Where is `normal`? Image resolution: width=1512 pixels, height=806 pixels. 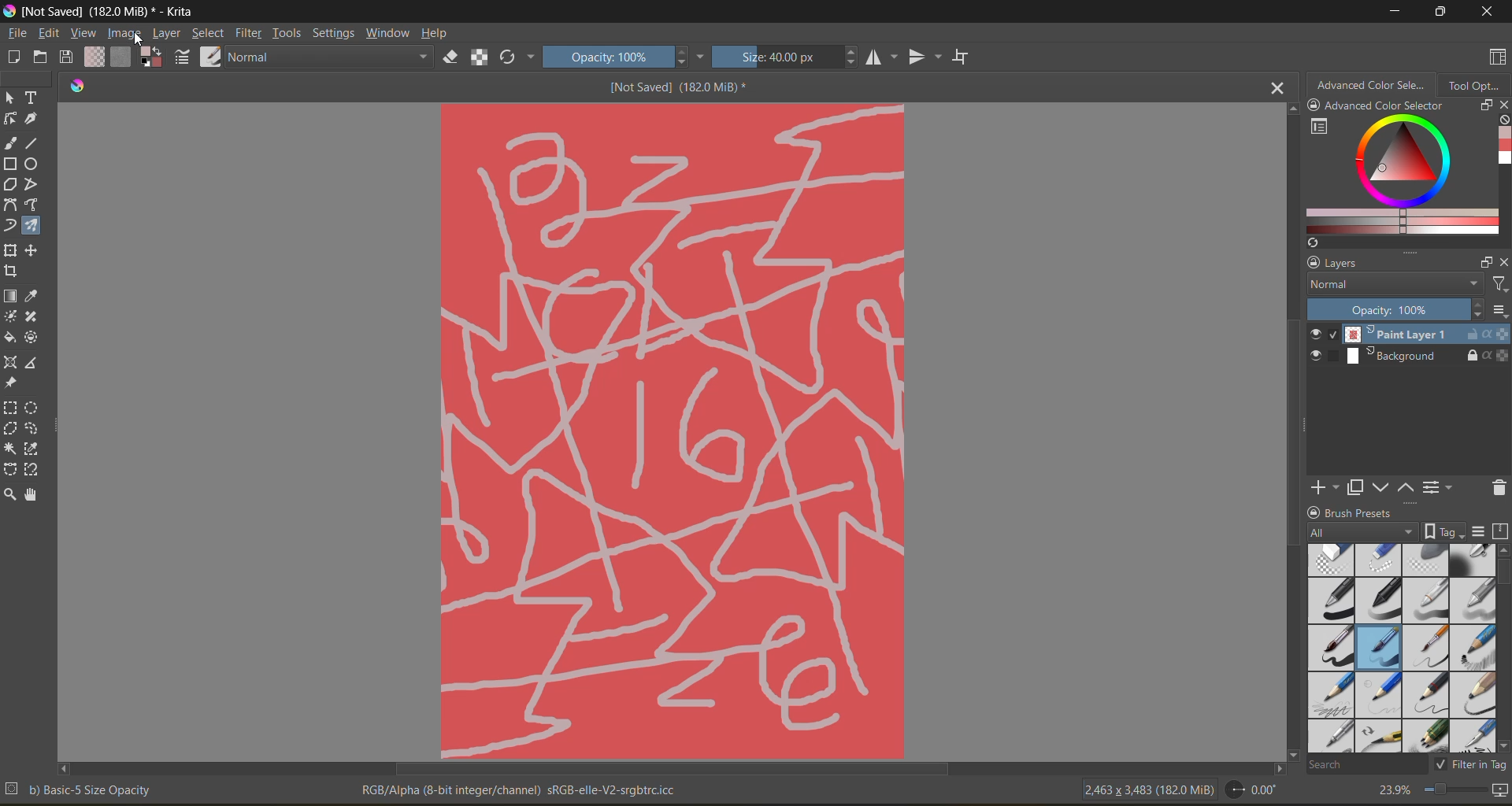
normal is located at coordinates (1393, 283).